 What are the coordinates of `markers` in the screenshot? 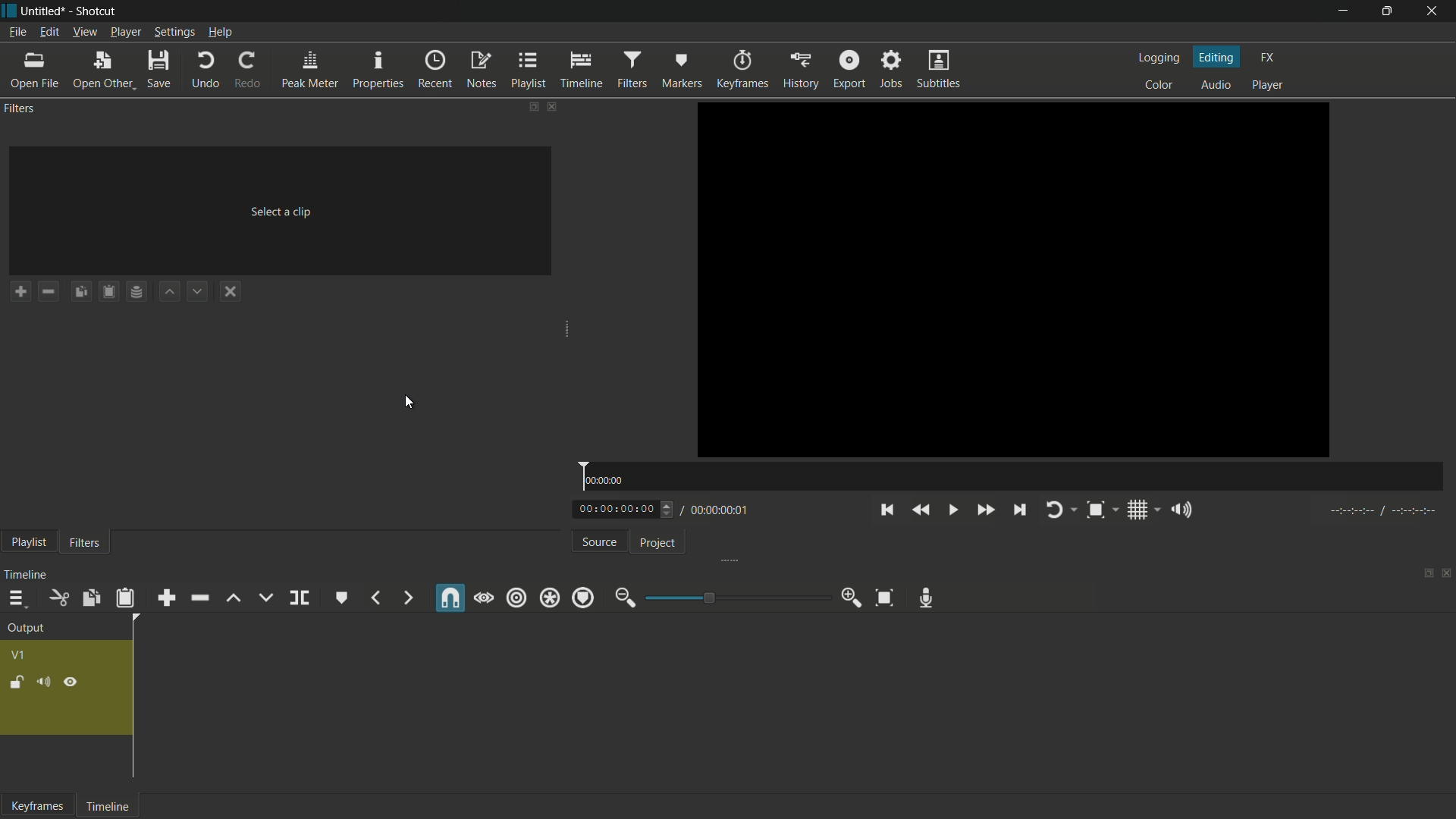 It's located at (682, 69).